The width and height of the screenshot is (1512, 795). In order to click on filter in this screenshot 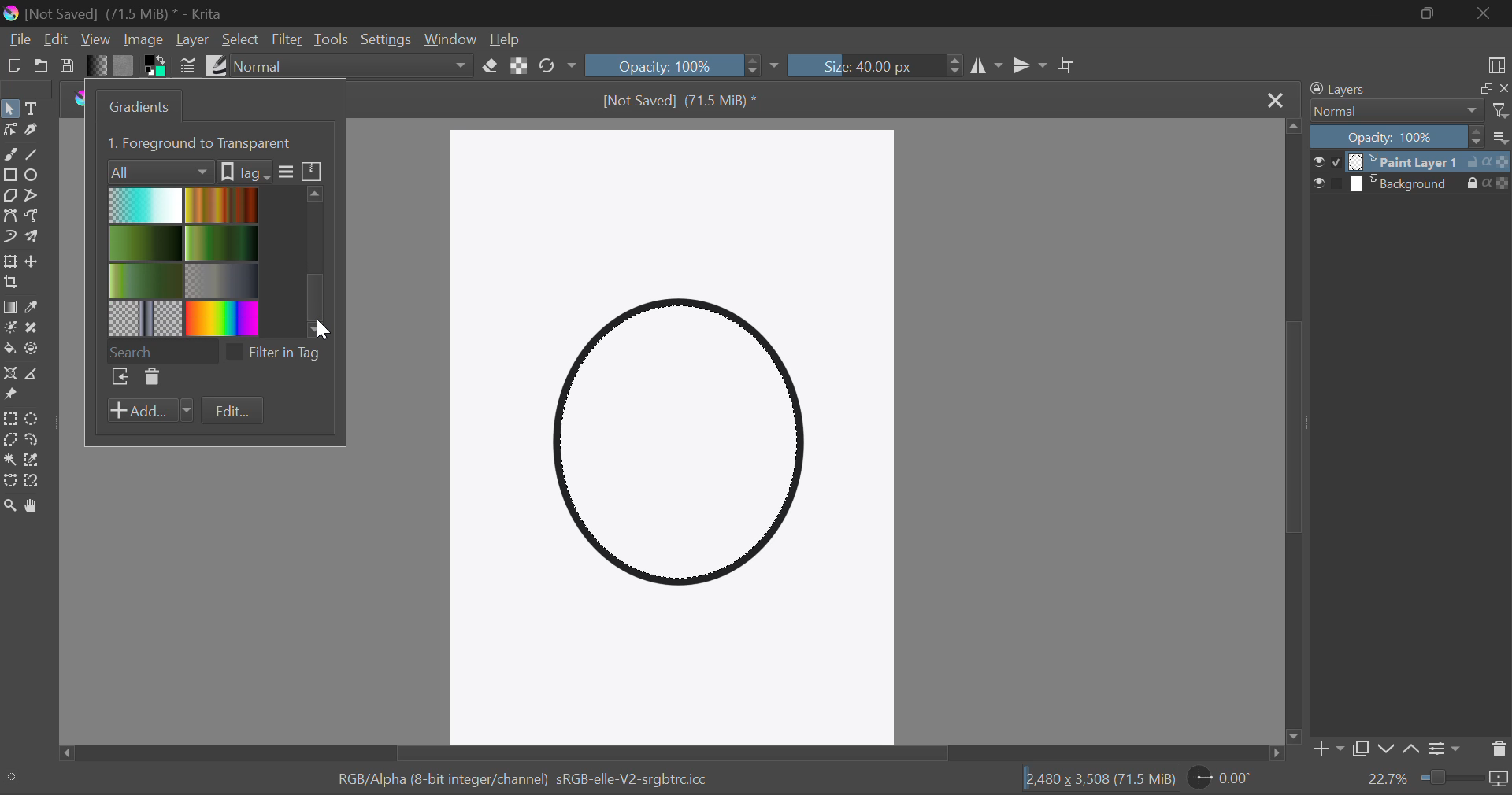, I will do `click(1499, 111)`.